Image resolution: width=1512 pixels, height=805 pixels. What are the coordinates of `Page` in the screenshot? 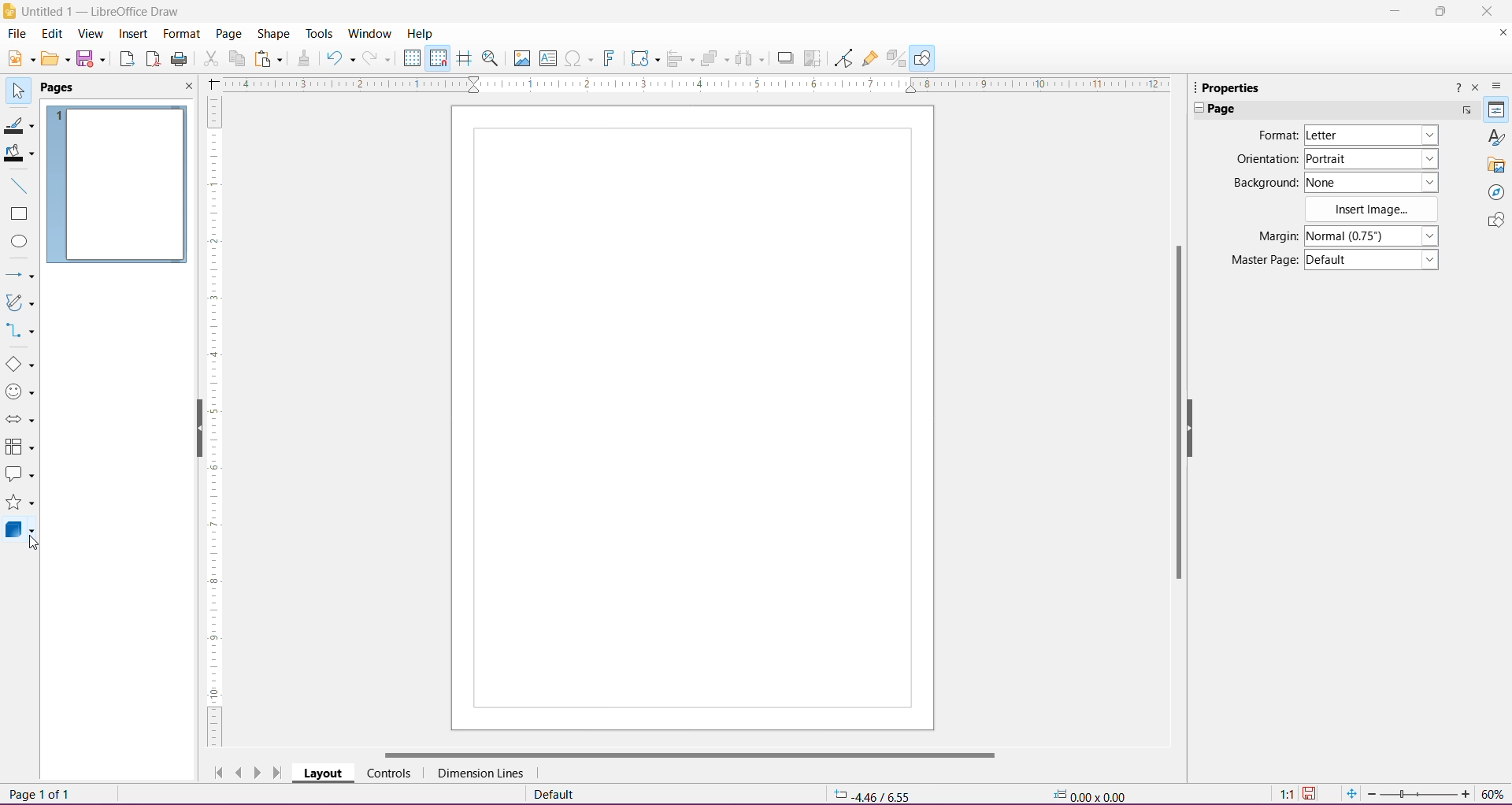 It's located at (228, 36).